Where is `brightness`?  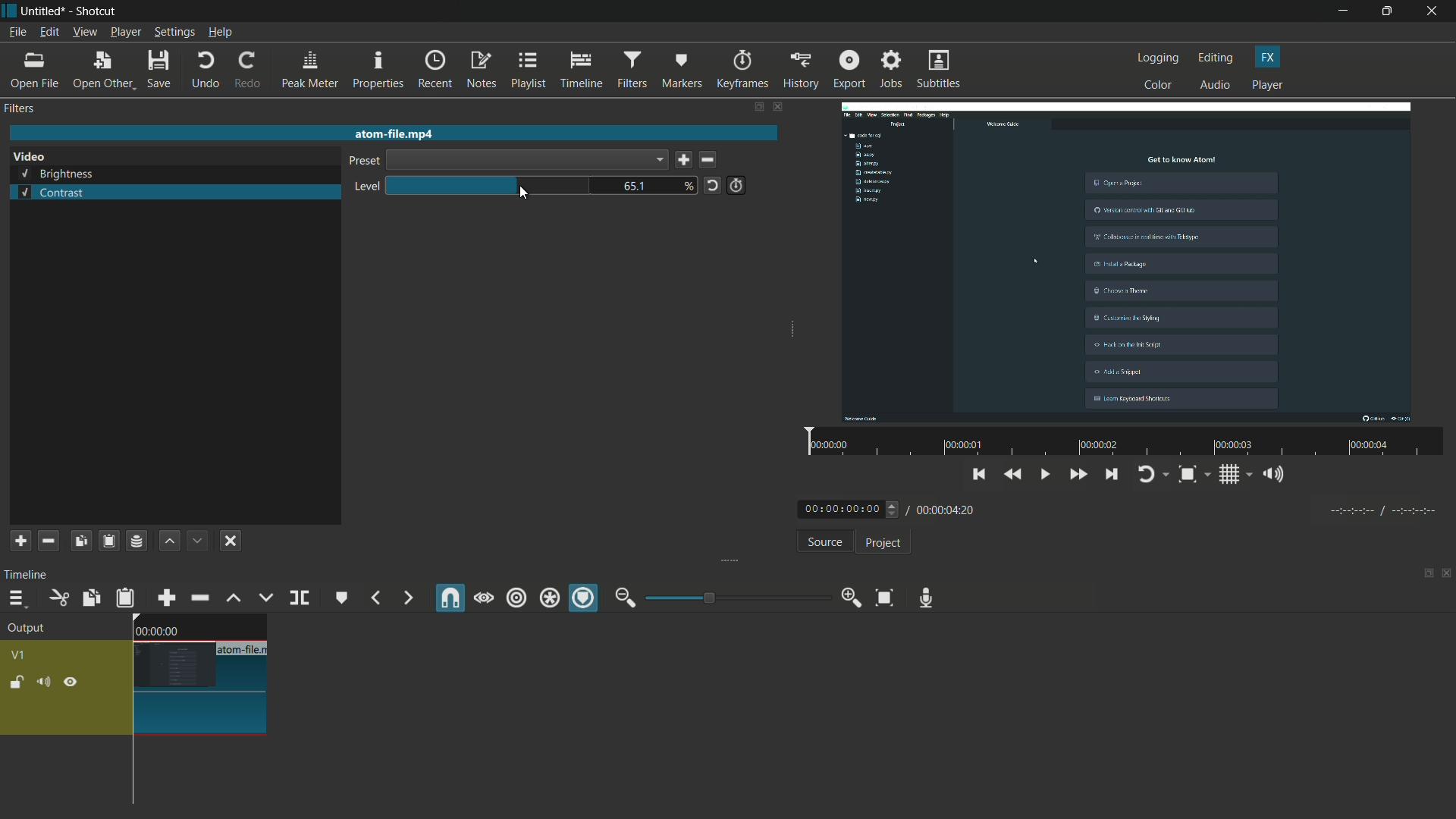 brightness is located at coordinates (58, 174).